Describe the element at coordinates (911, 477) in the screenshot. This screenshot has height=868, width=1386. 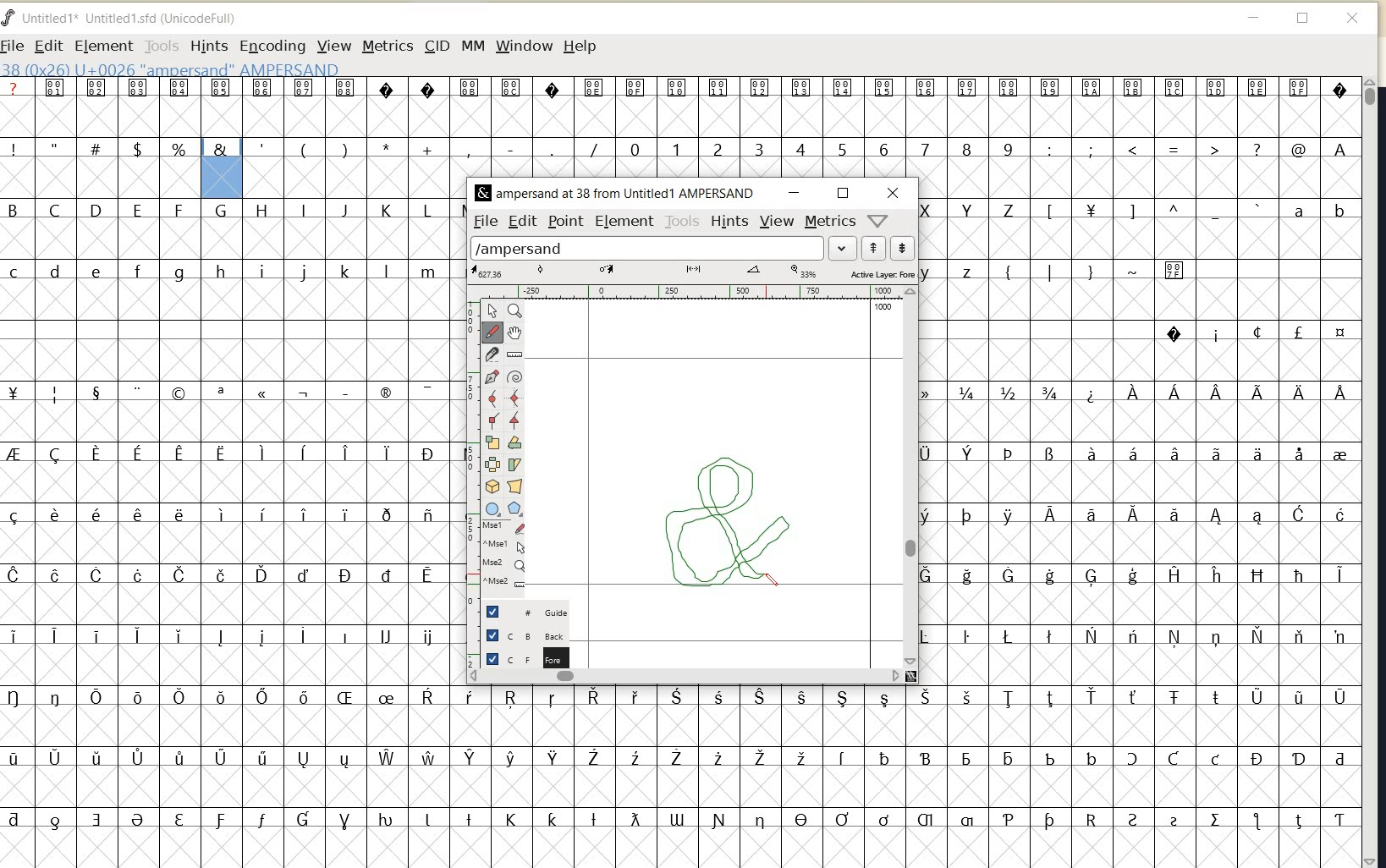
I see `SCROLLBAR` at that location.